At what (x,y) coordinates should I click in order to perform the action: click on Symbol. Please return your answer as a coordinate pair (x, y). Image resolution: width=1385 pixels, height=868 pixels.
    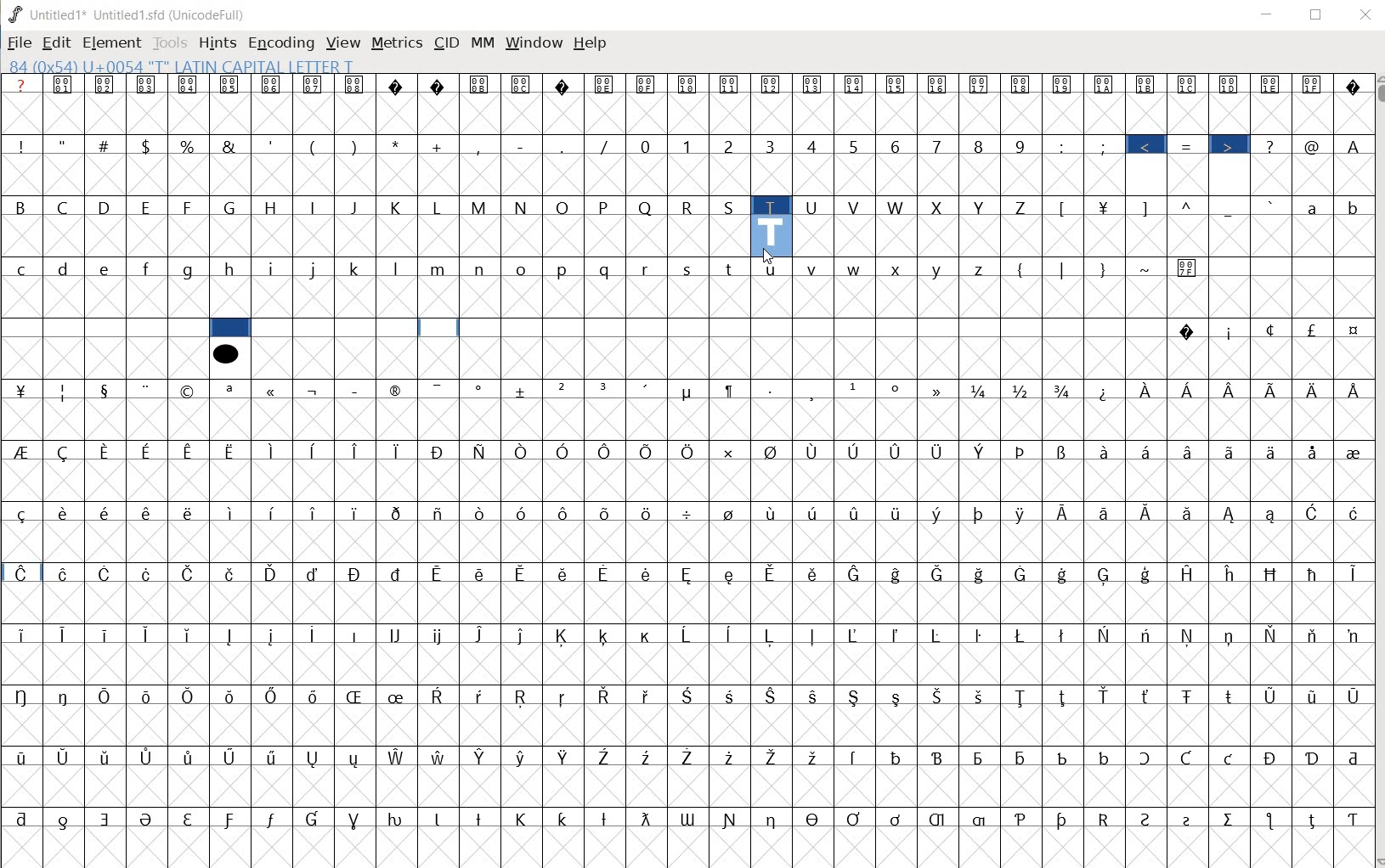
    Looking at the image, I should click on (982, 513).